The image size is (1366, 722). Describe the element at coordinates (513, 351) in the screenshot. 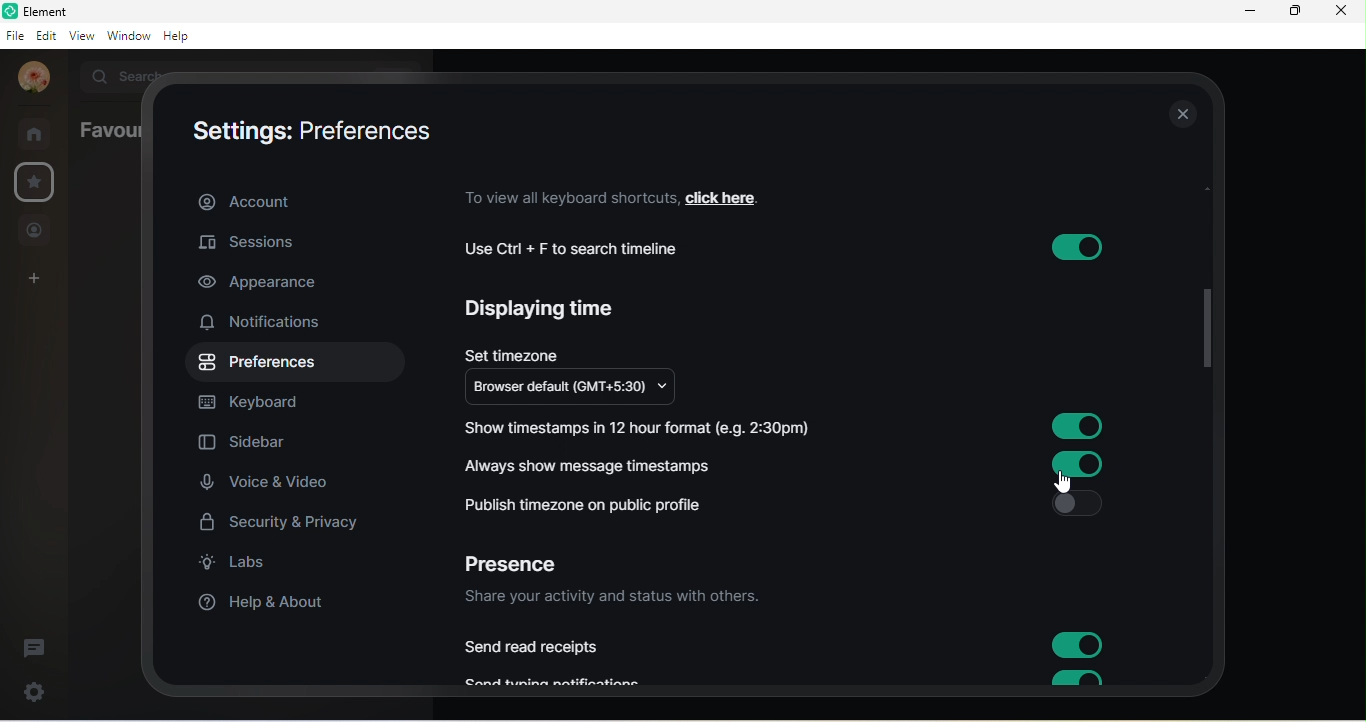

I see `set timezone` at that location.